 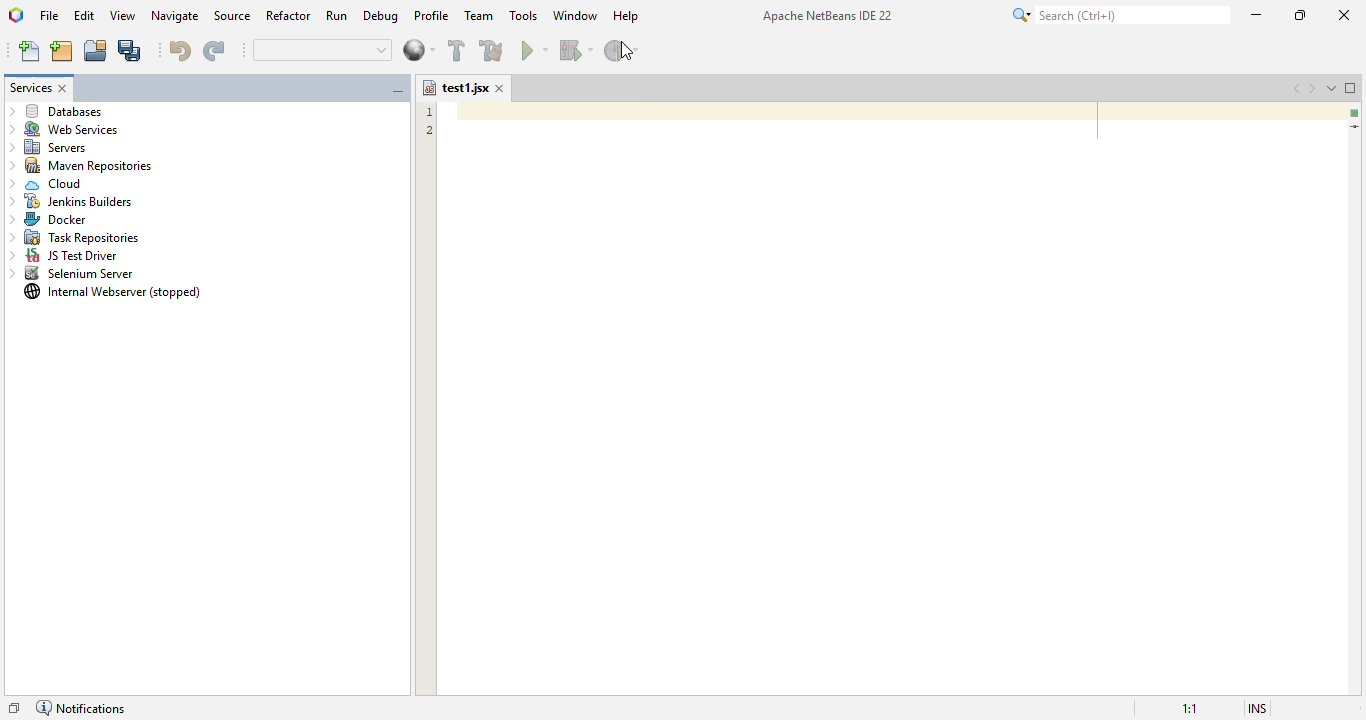 I want to click on build project, so click(x=456, y=50).